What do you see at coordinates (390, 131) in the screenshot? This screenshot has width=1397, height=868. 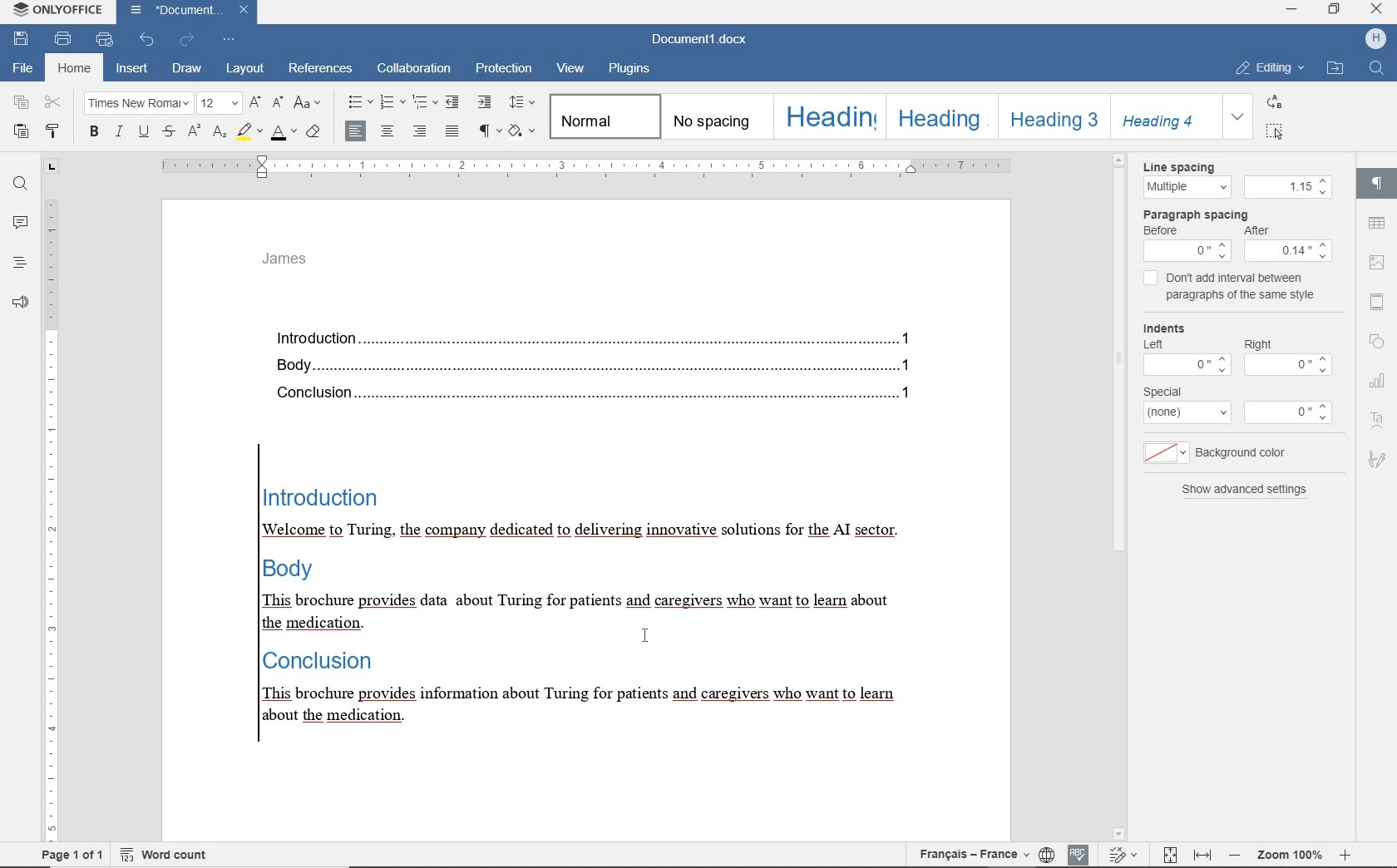 I see `align center` at bounding box center [390, 131].